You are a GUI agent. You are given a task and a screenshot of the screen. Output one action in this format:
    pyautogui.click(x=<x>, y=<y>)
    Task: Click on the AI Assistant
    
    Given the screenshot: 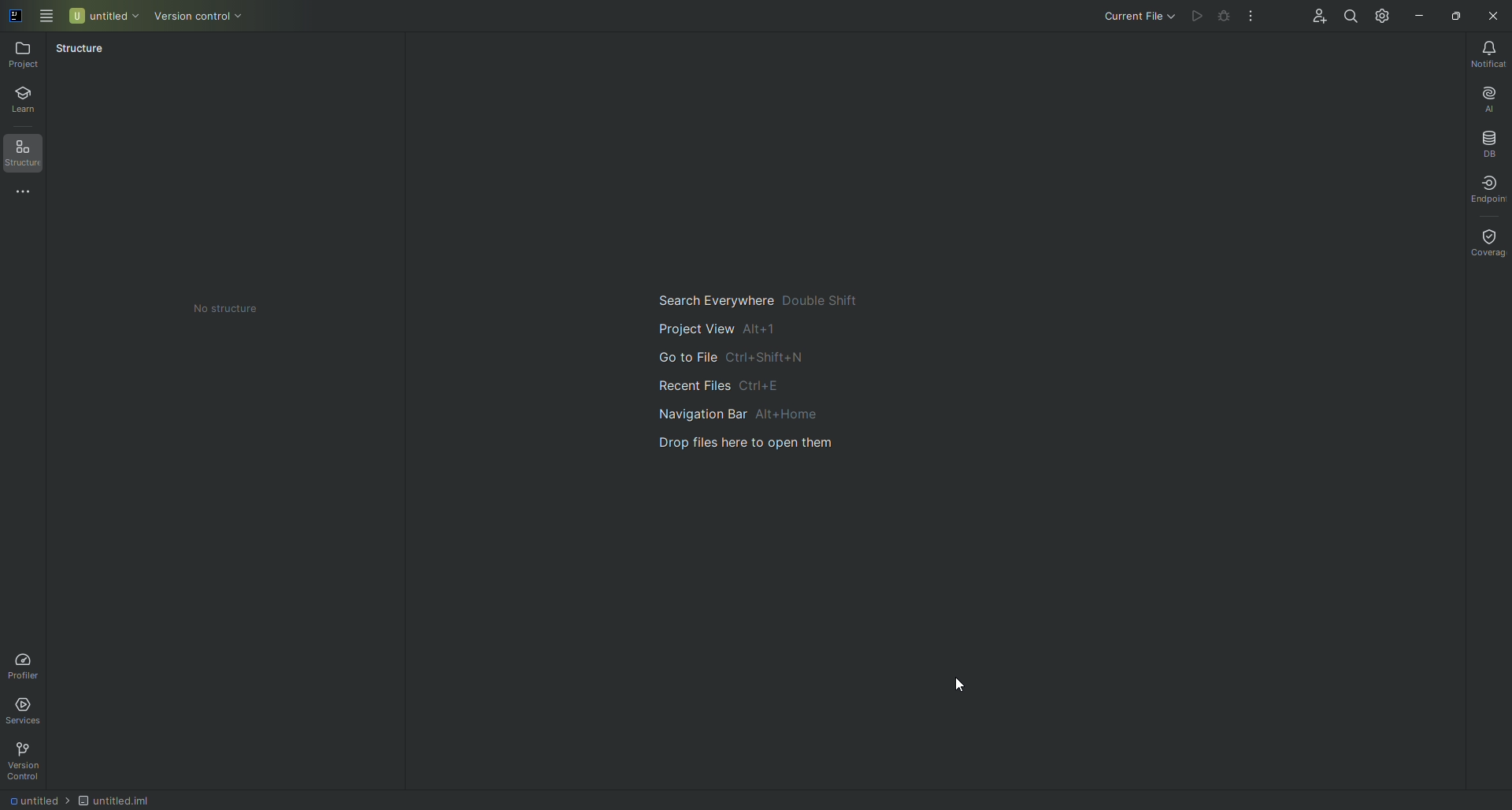 What is the action you would take?
    pyautogui.click(x=1489, y=100)
    